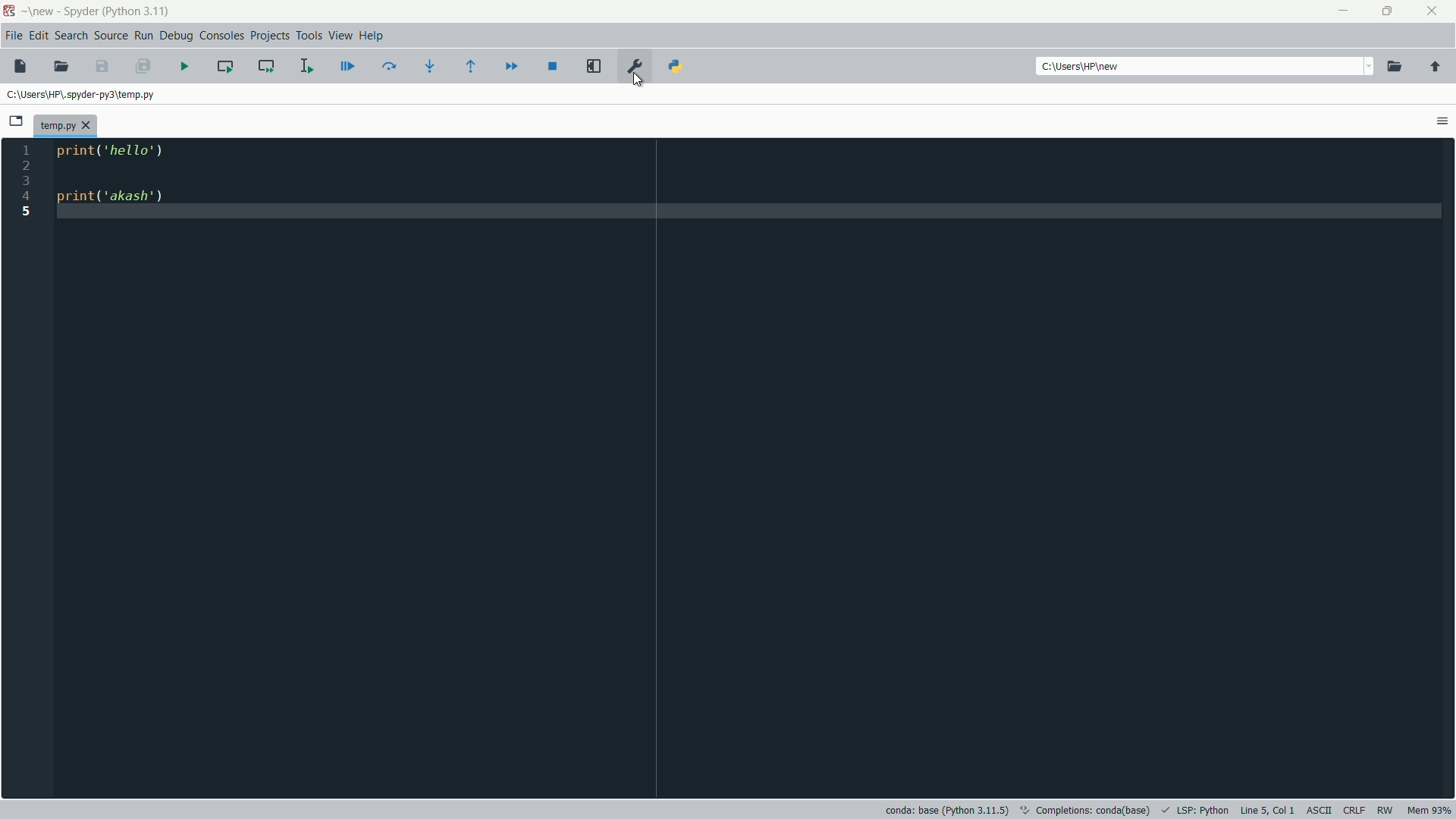  What do you see at coordinates (224, 35) in the screenshot?
I see `consoles menu` at bounding box center [224, 35].